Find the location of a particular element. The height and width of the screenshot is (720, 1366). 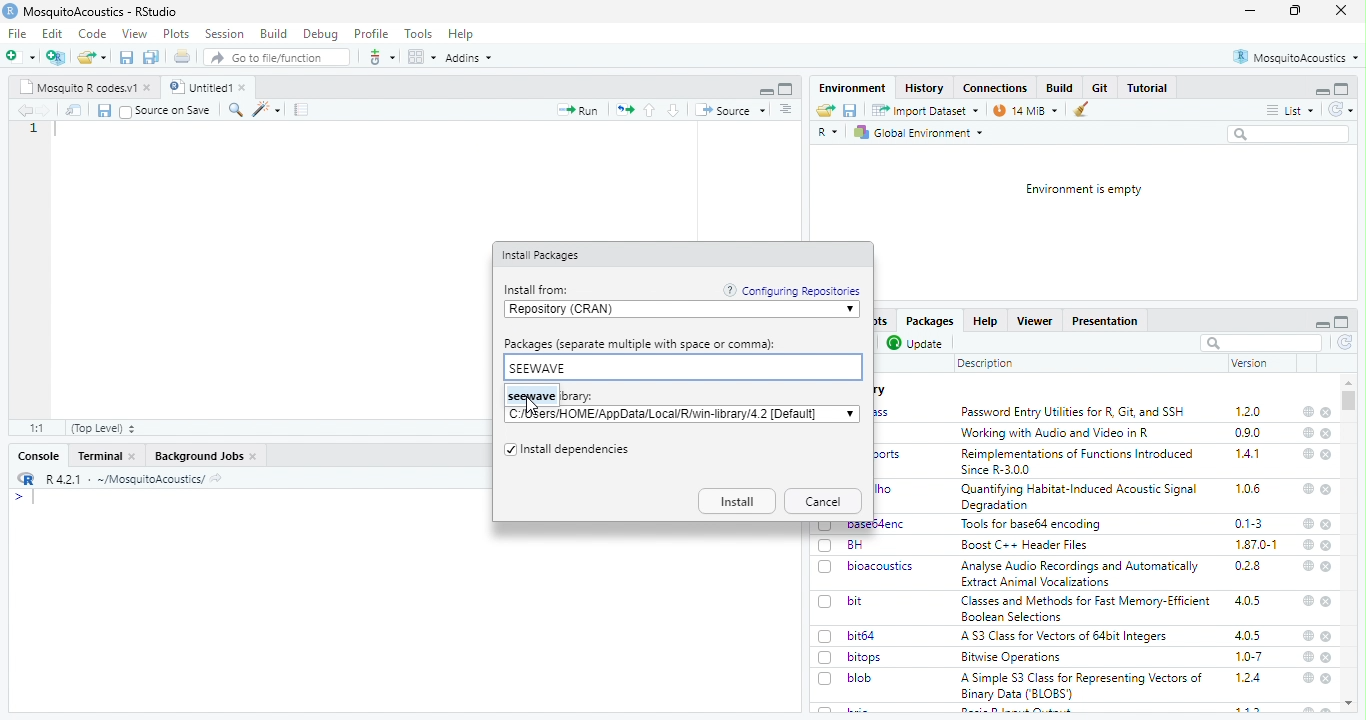

edit is located at coordinates (266, 110).